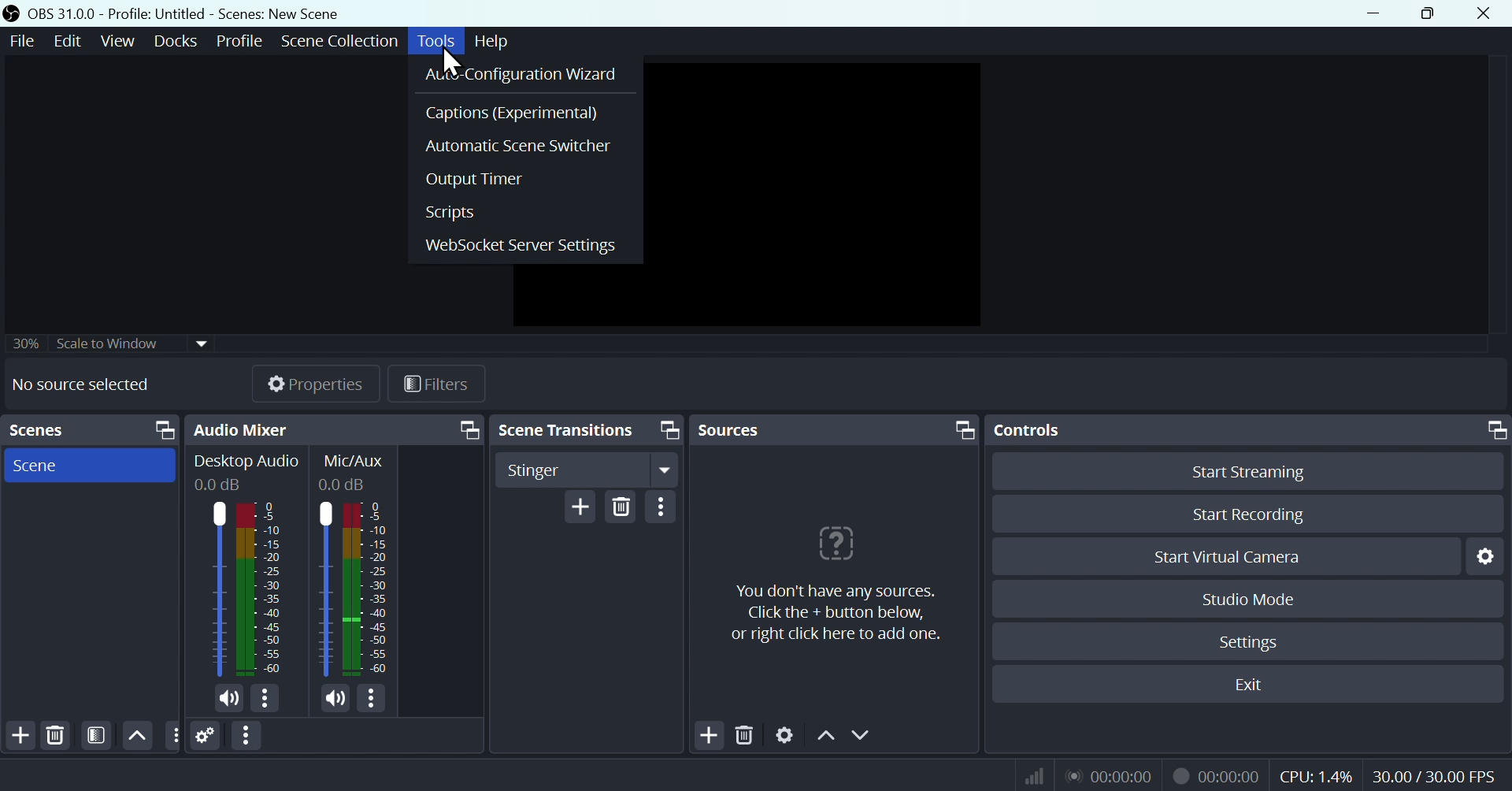  Describe the element at coordinates (524, 176) in the screenshot. I see `Output timer` at that location.